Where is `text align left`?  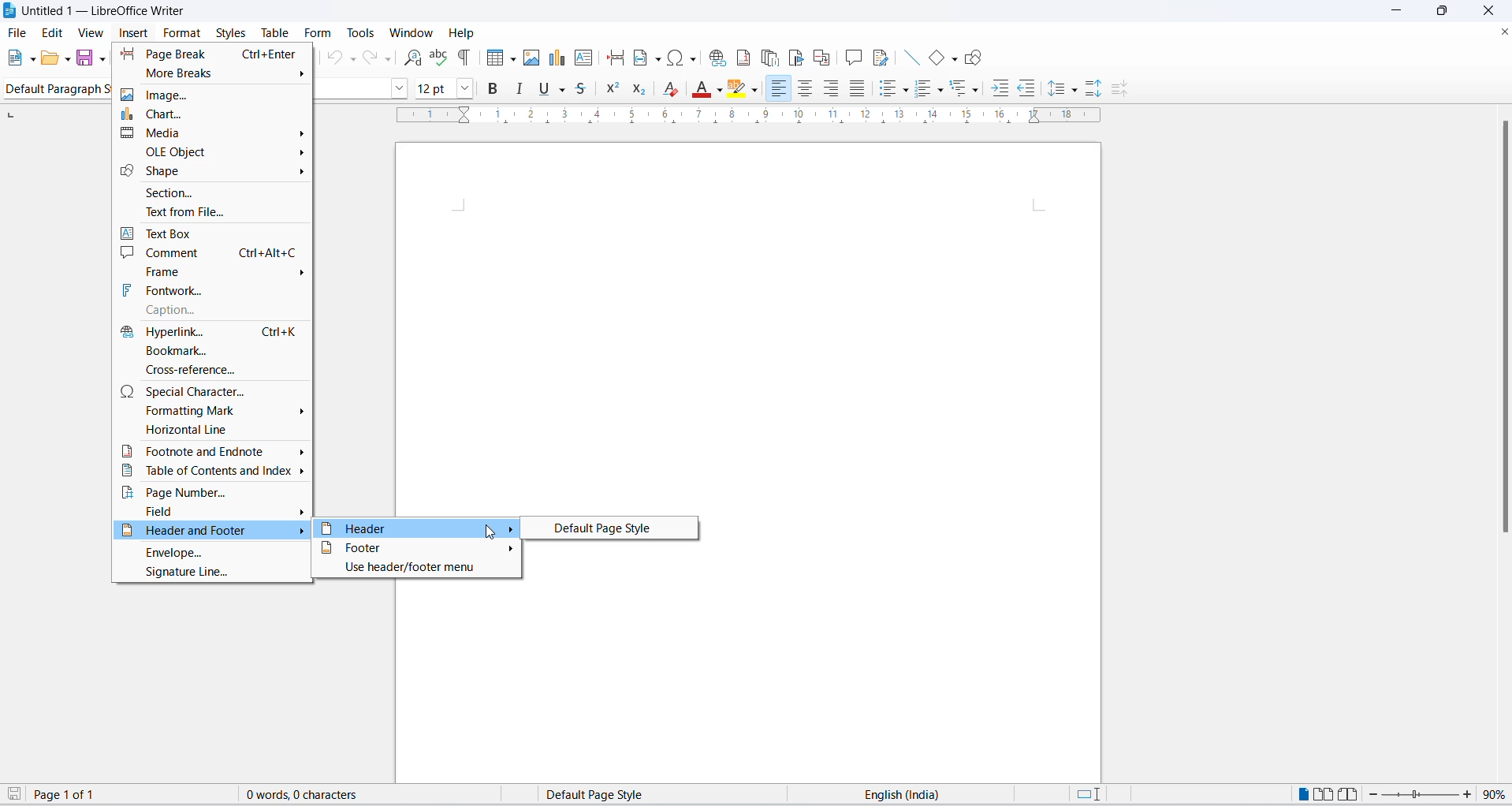
text align left is located at coordinates (780, 88).